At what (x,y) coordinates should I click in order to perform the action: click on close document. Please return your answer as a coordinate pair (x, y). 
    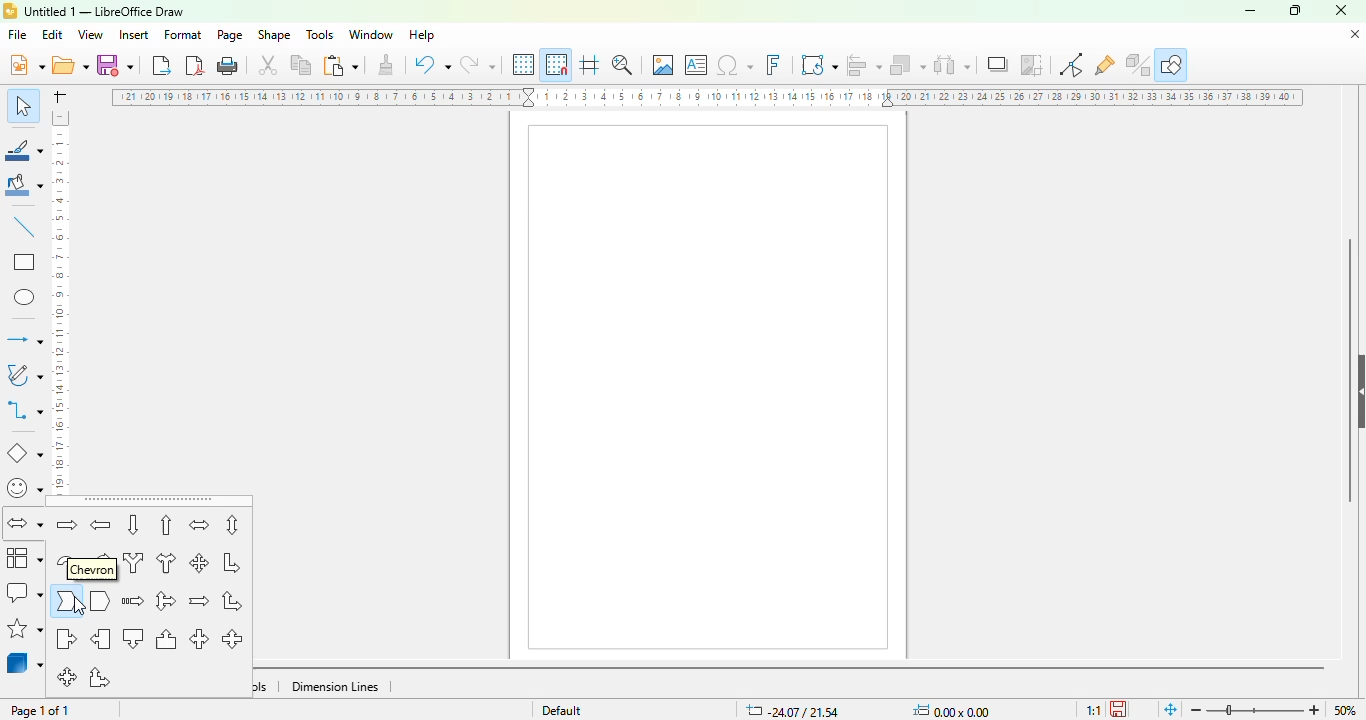
    Looking at the image, I should click on (1355, 35).